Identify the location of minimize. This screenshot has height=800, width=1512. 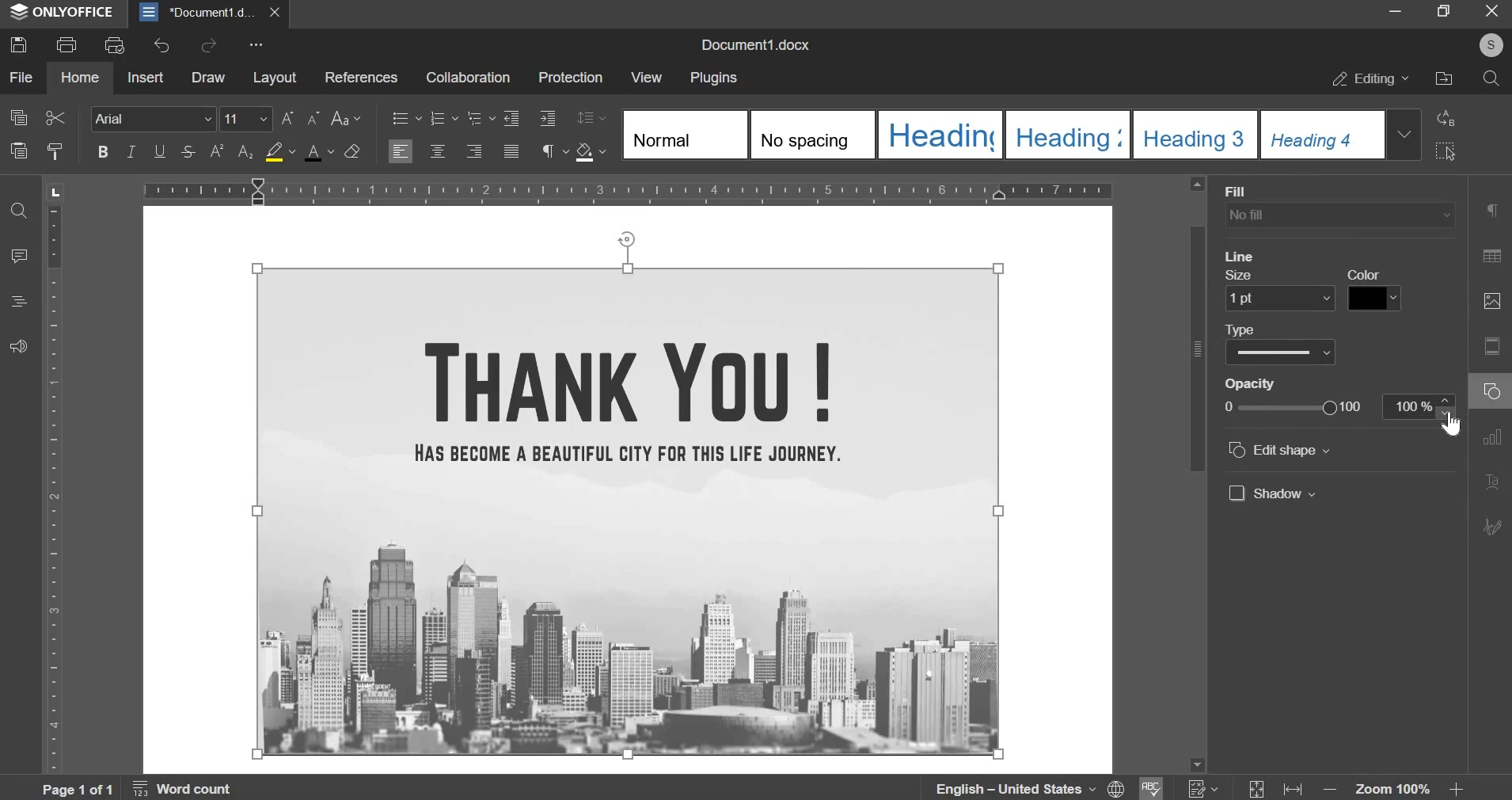
(1397, 12).